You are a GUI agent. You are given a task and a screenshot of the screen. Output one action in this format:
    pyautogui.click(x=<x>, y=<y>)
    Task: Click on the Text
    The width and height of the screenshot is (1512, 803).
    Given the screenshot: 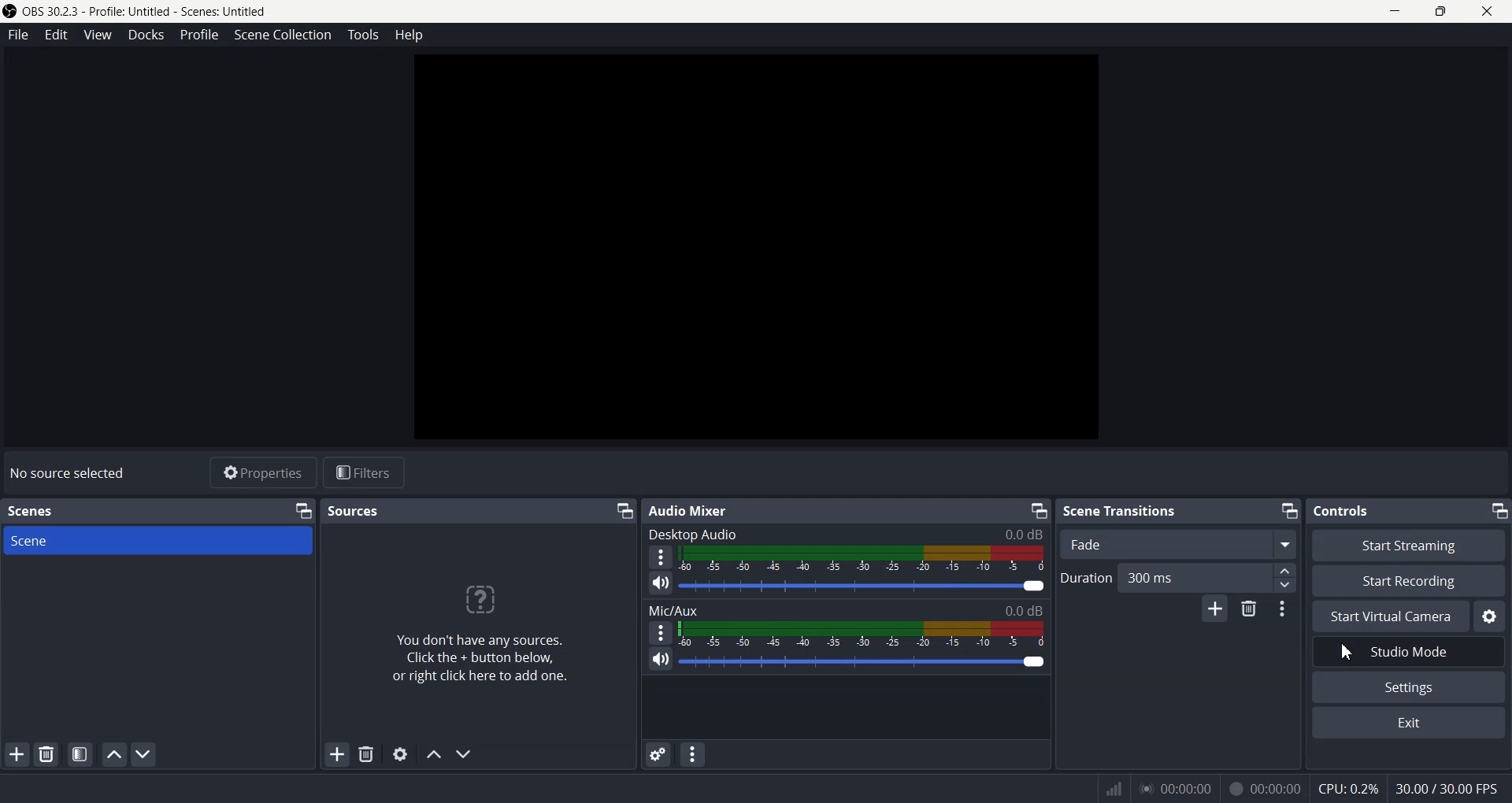 What is the action you would take?
    pyautogui.click(x=3904, y=1497)
    